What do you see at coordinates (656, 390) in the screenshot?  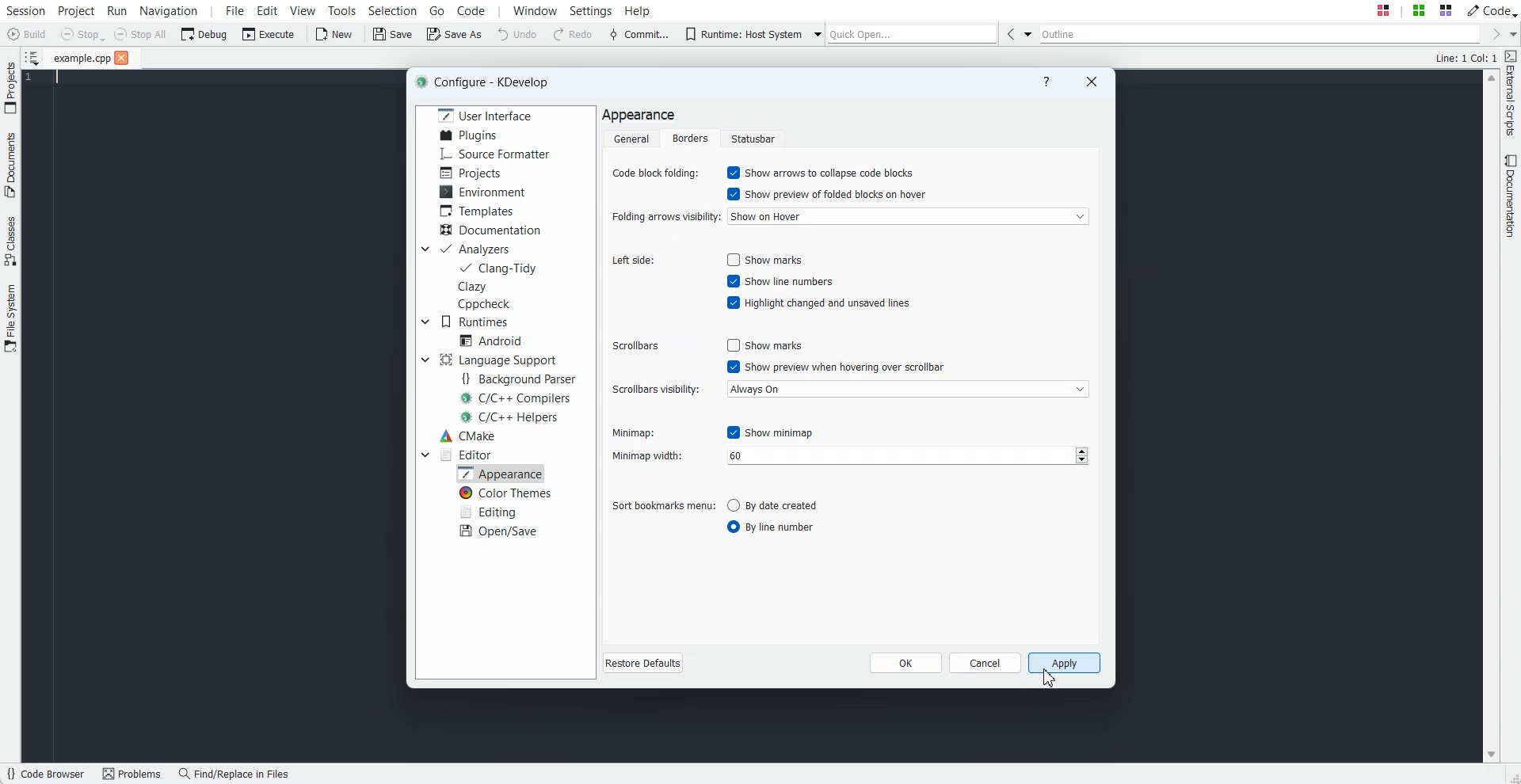 I see `Scroll visibility` at bounding box center [656, 390].